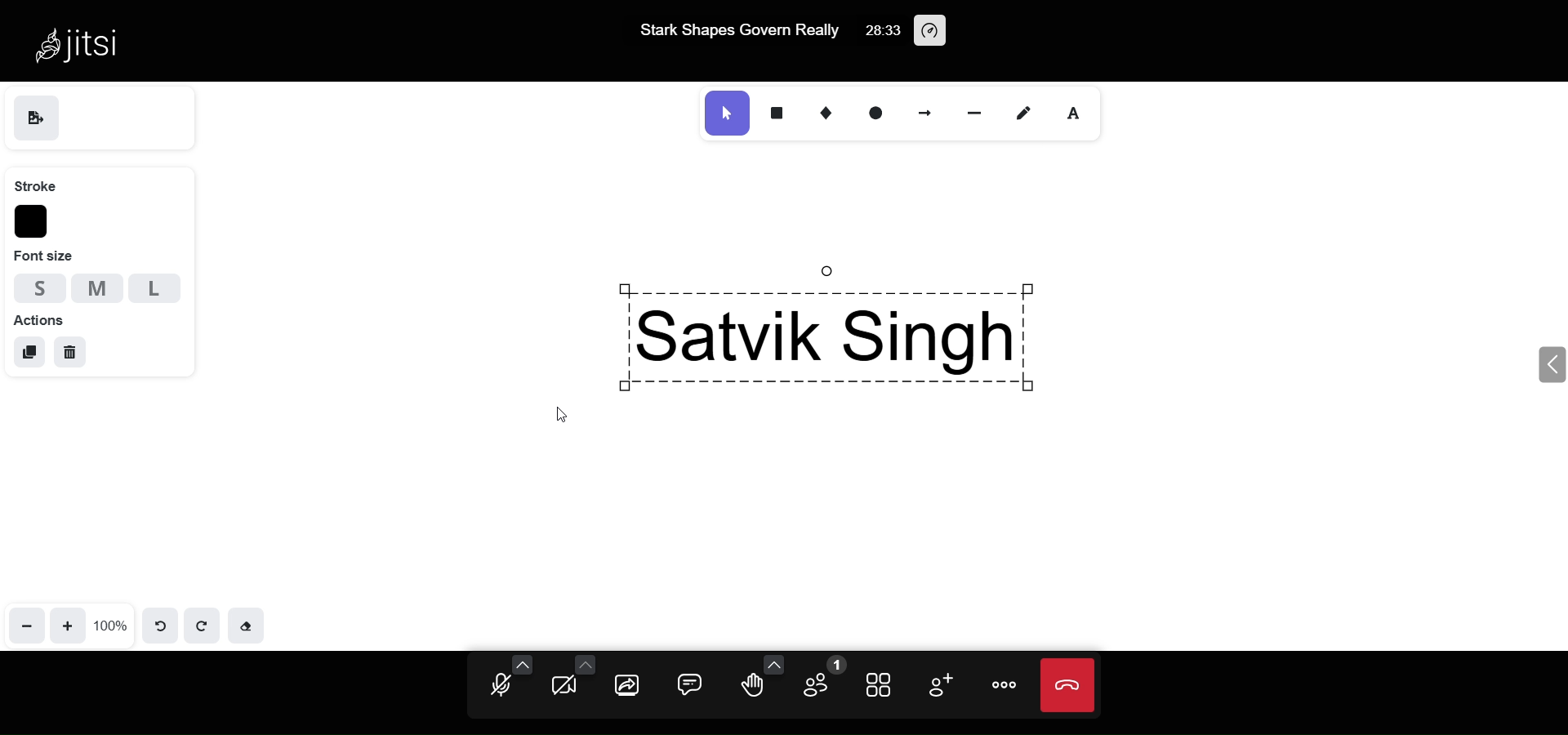 The image size is (1568, 735). I want to click on actions, so click(39, 321).